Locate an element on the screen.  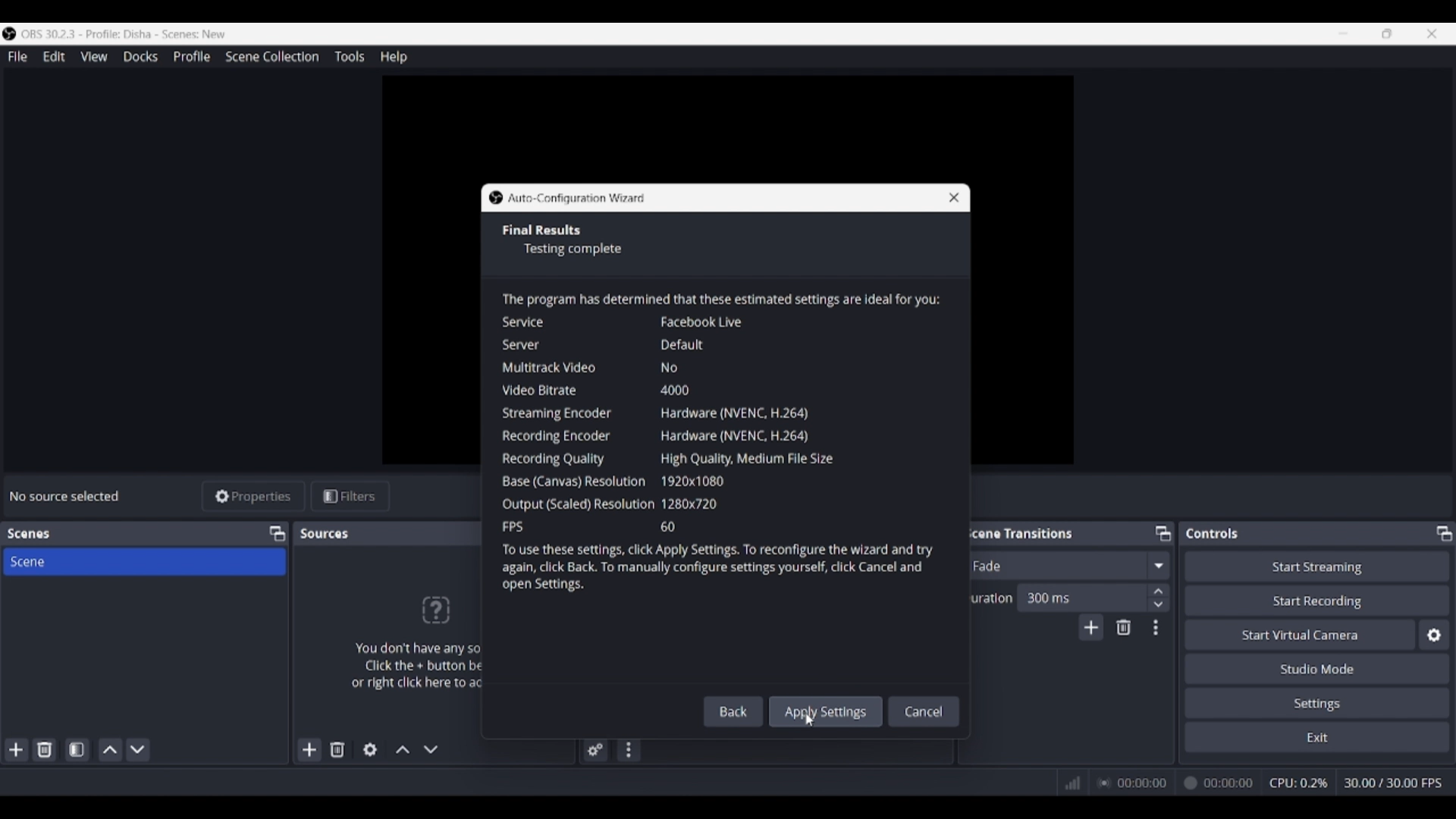
Scene collection menu is located at coordinates (271, 56).